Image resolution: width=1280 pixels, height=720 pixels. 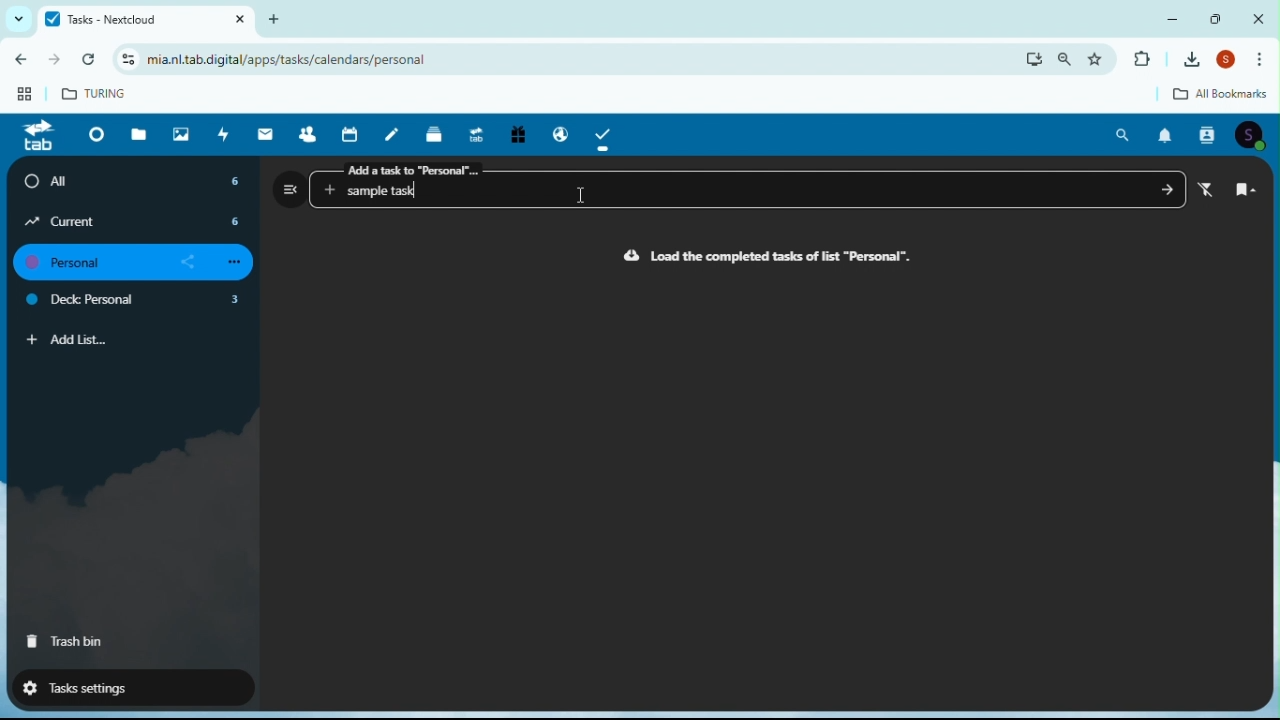 I want to click on Account icon, so click(x=1254, y=135).